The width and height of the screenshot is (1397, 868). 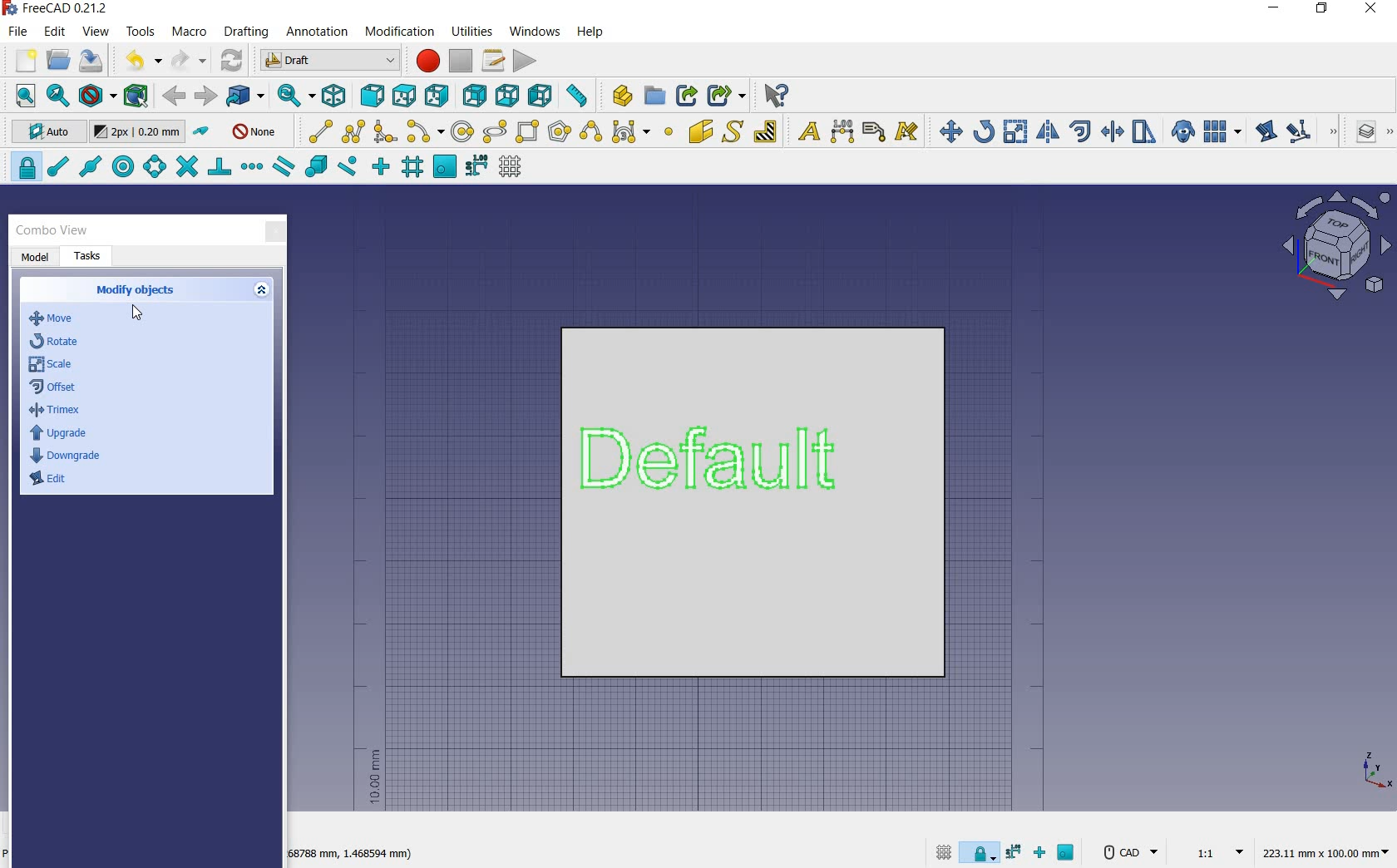 What do you see at coordinates (190, 33) in the screenshot?
I see `macro` at bounding box center [190, 33].